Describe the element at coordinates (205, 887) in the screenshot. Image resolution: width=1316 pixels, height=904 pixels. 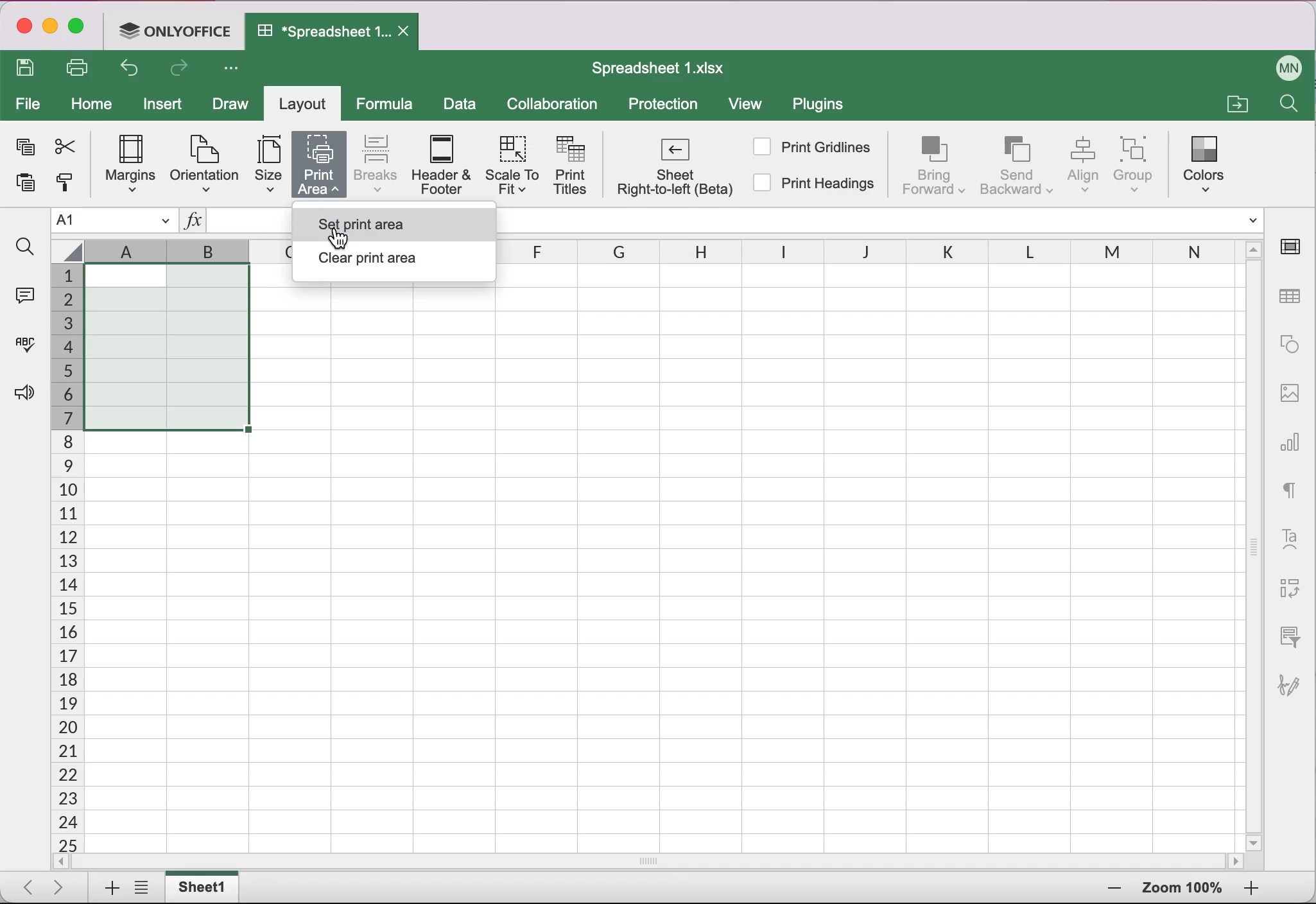
I see `sheet tab` at that location.